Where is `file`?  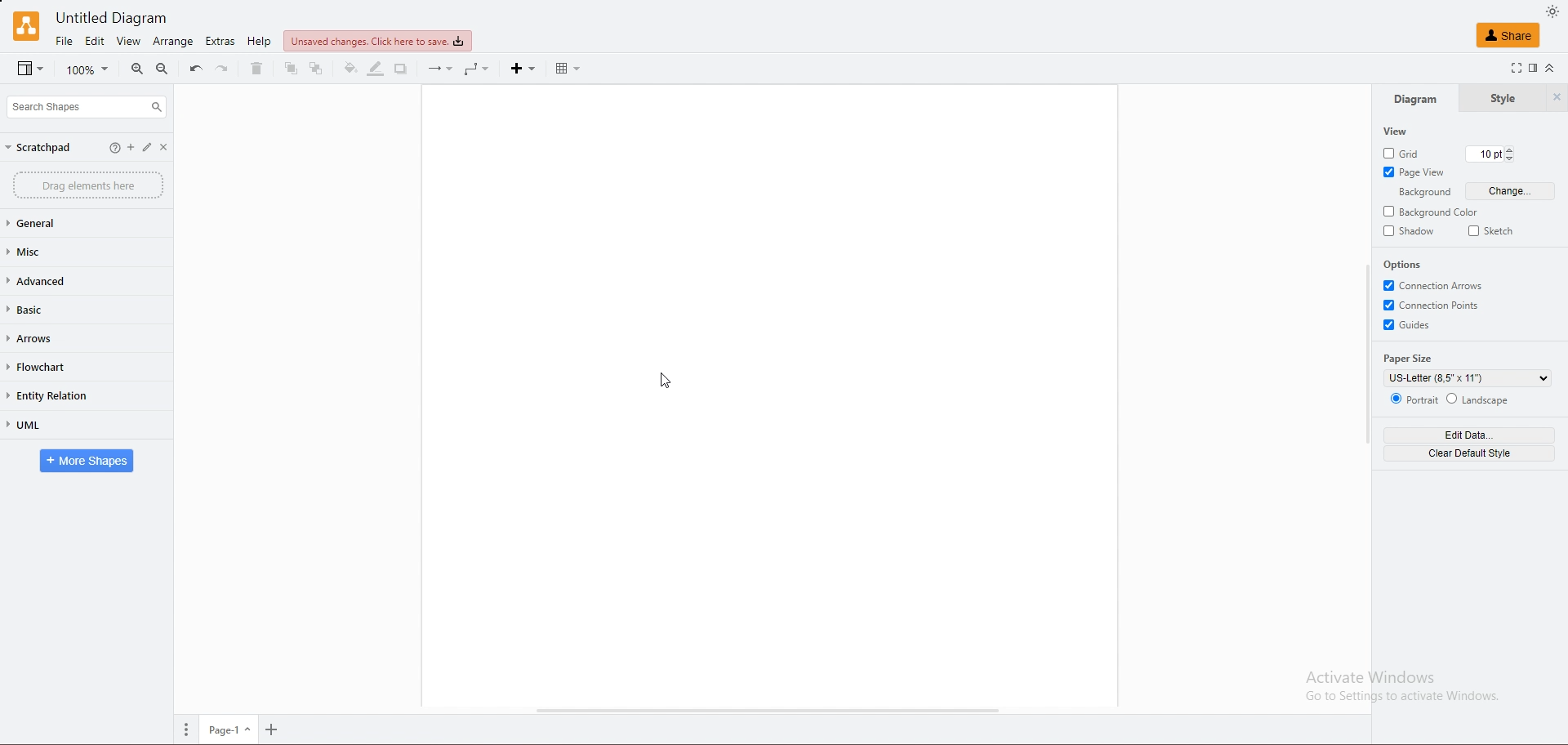 file is located at coordinates (65, 41).